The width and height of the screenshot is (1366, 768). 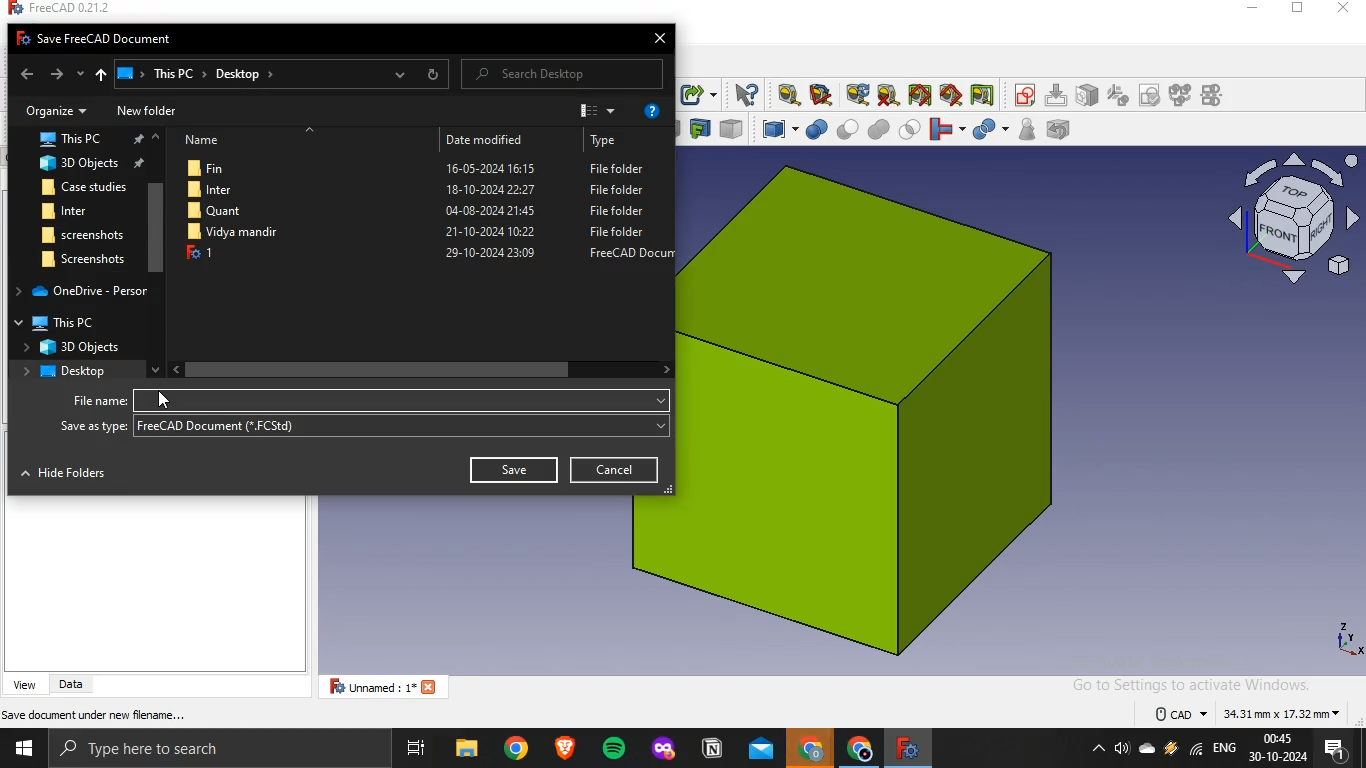 I want to click on scrollbar, so click(x=156, y=249).